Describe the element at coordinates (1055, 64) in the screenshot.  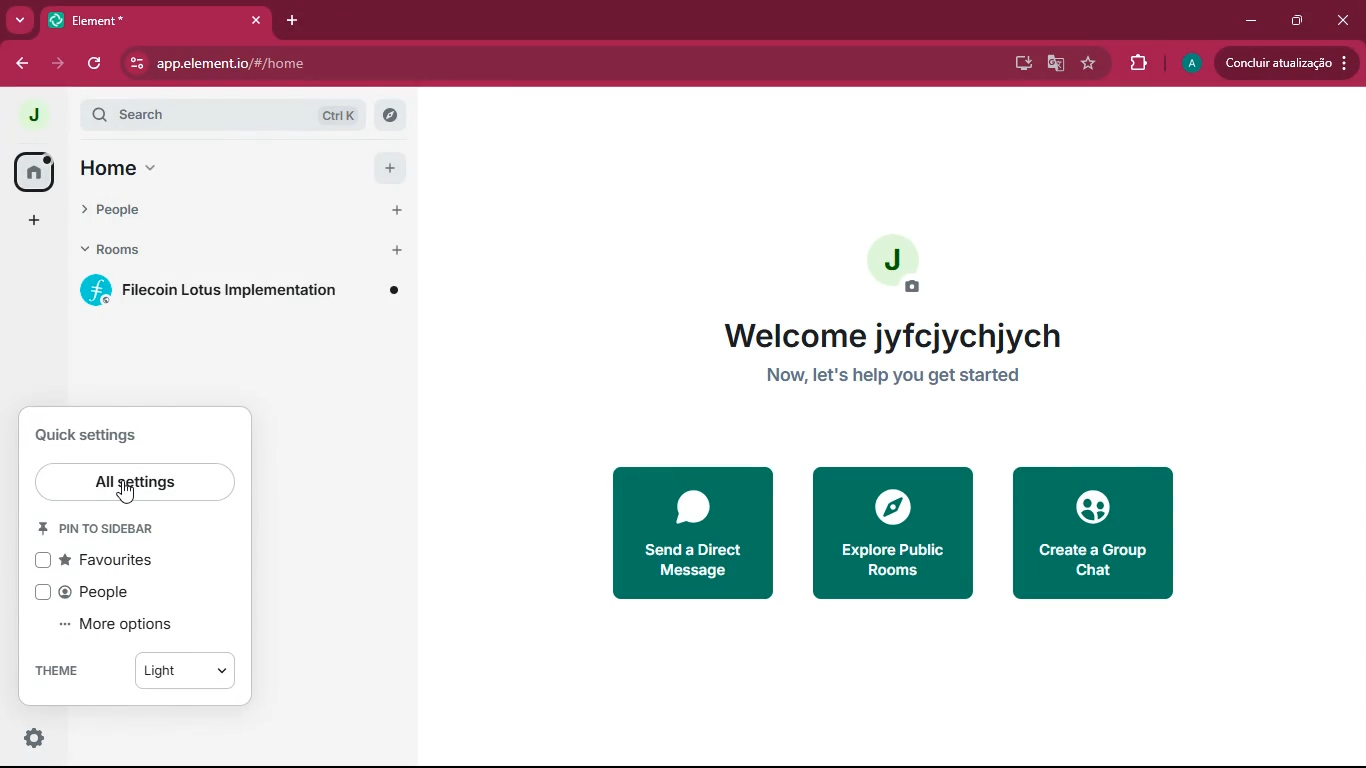
I see `google translate` at that location.